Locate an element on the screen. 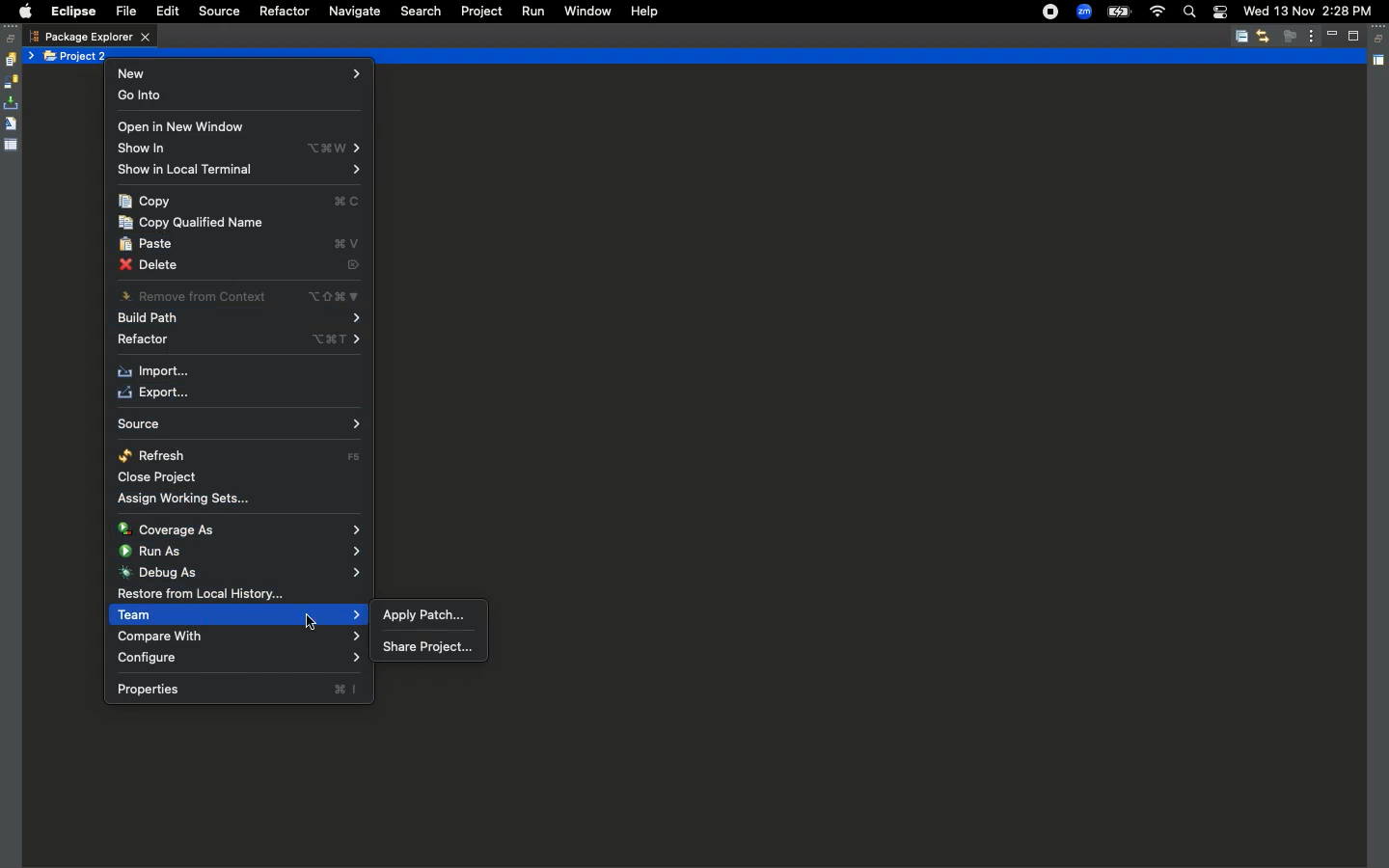 The height and width of the screenshot is (868, 1389). Properties is located at coordinates (237, 689).